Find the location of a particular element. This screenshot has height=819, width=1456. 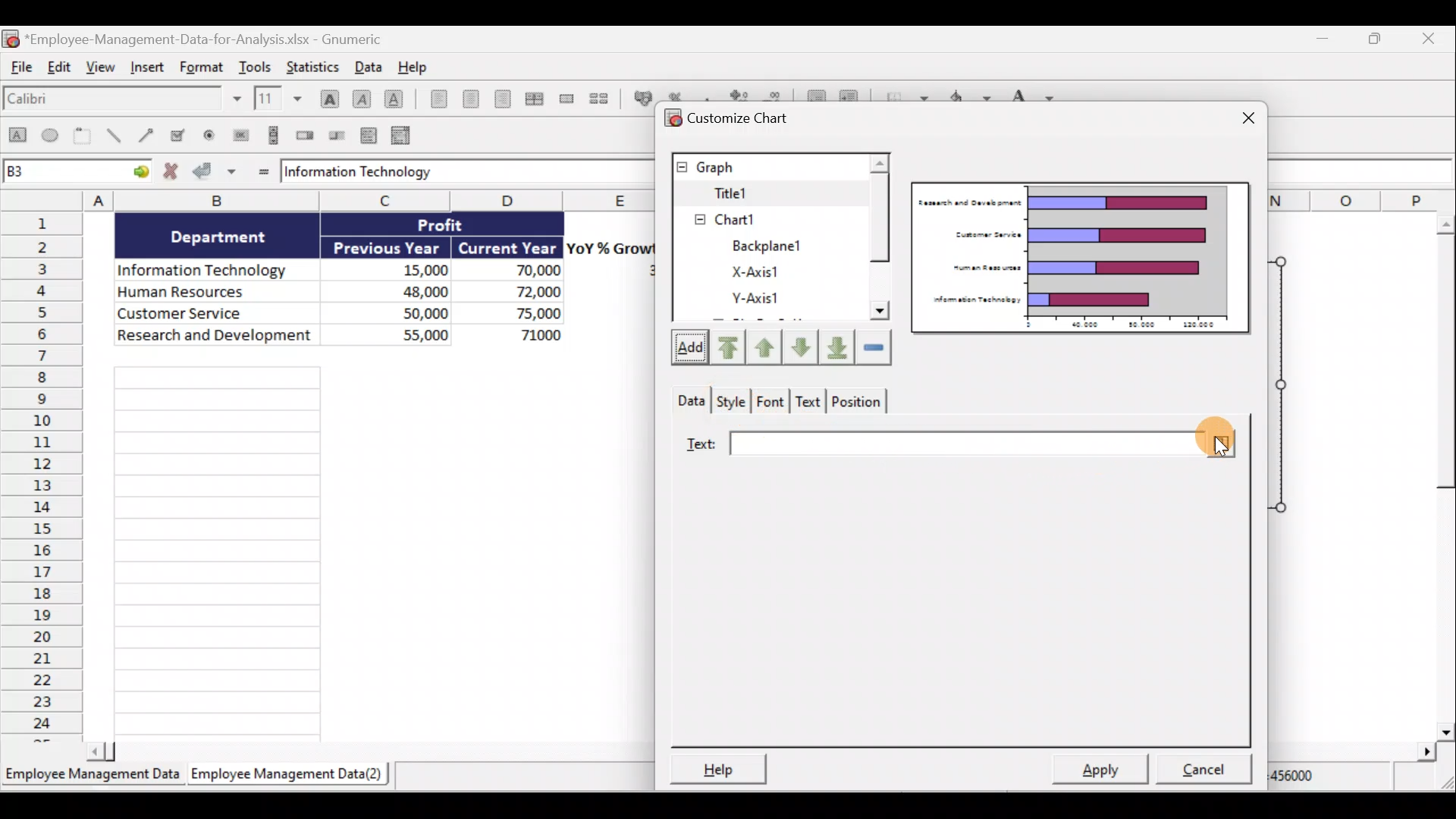

Information Technology is located at coordinates (209, 266).